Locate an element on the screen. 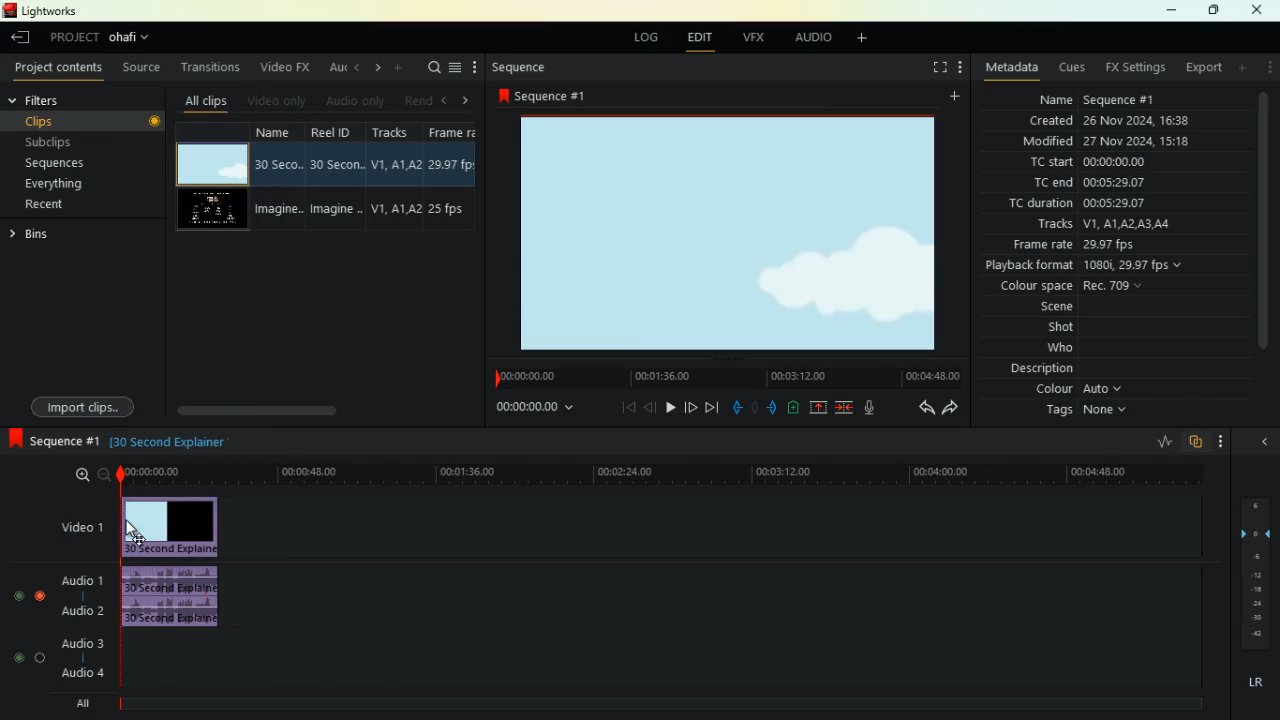 This screenshot has height=720, width=1280. audio4 is located at coordinates (86, 672).